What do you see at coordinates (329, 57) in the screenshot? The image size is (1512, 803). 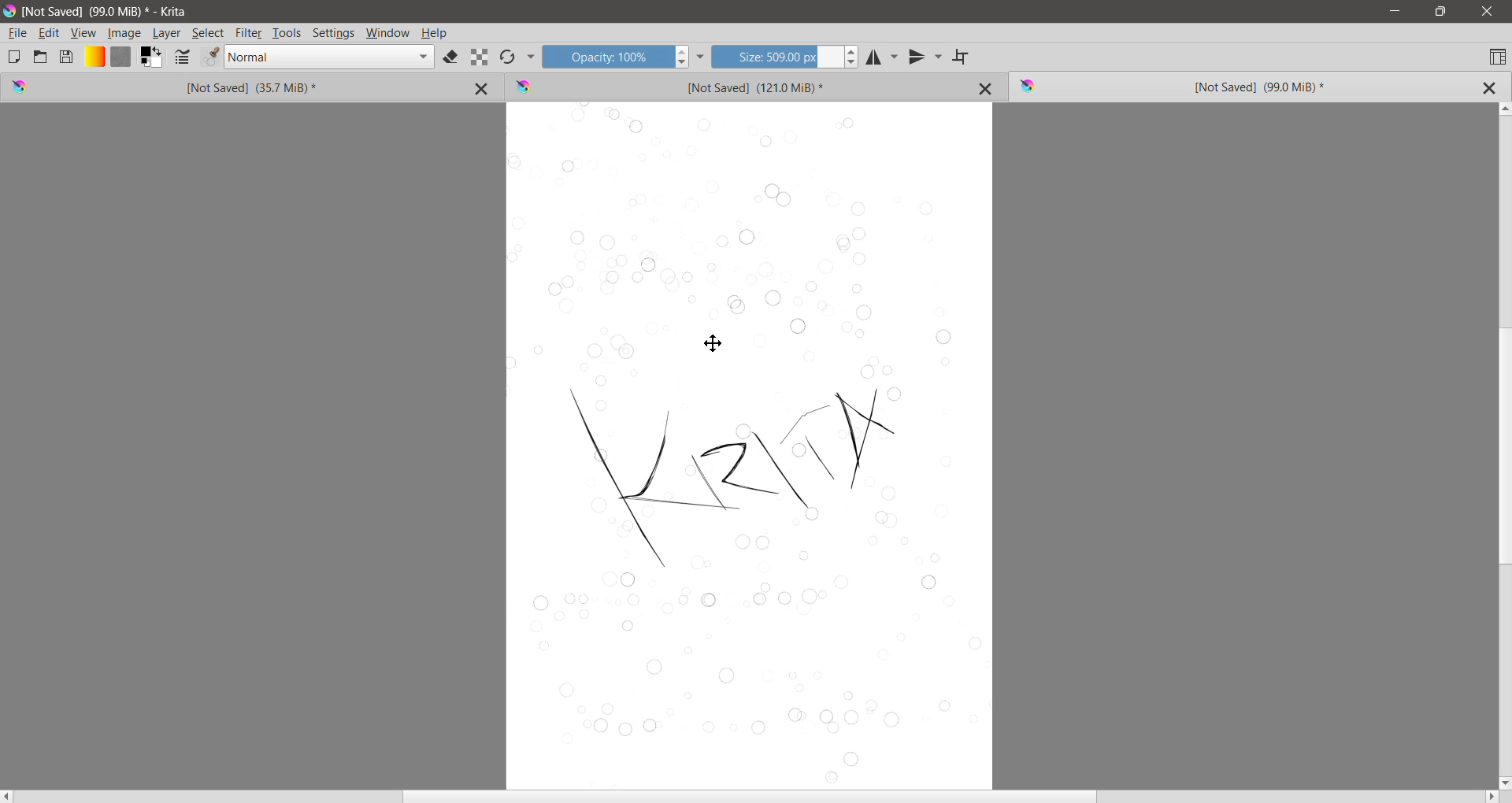 I see `Blending mode` at bounding box center [329, 57].